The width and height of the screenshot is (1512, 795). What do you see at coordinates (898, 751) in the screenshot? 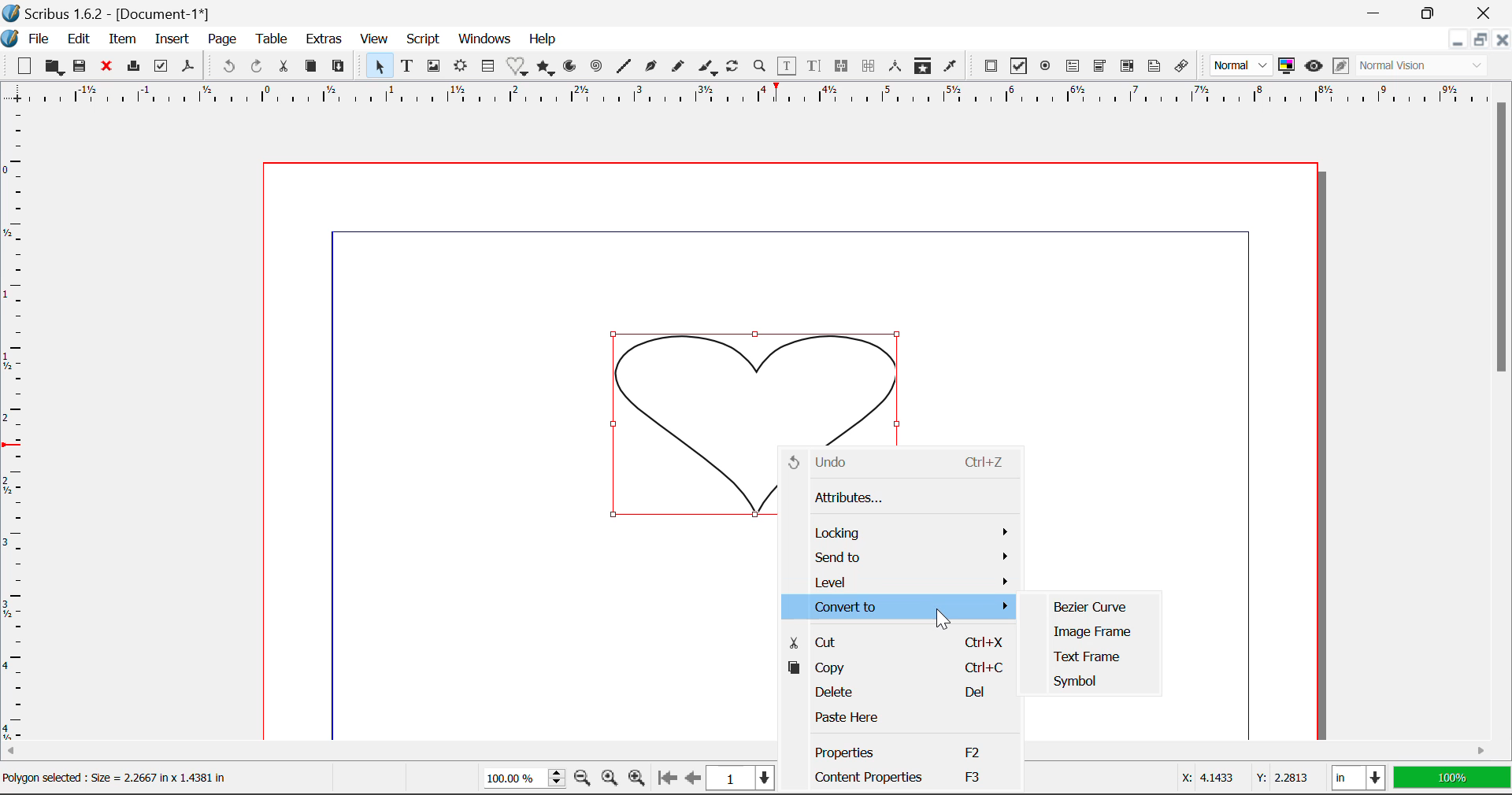
I see `Properties` at bounding box center [898, 751].